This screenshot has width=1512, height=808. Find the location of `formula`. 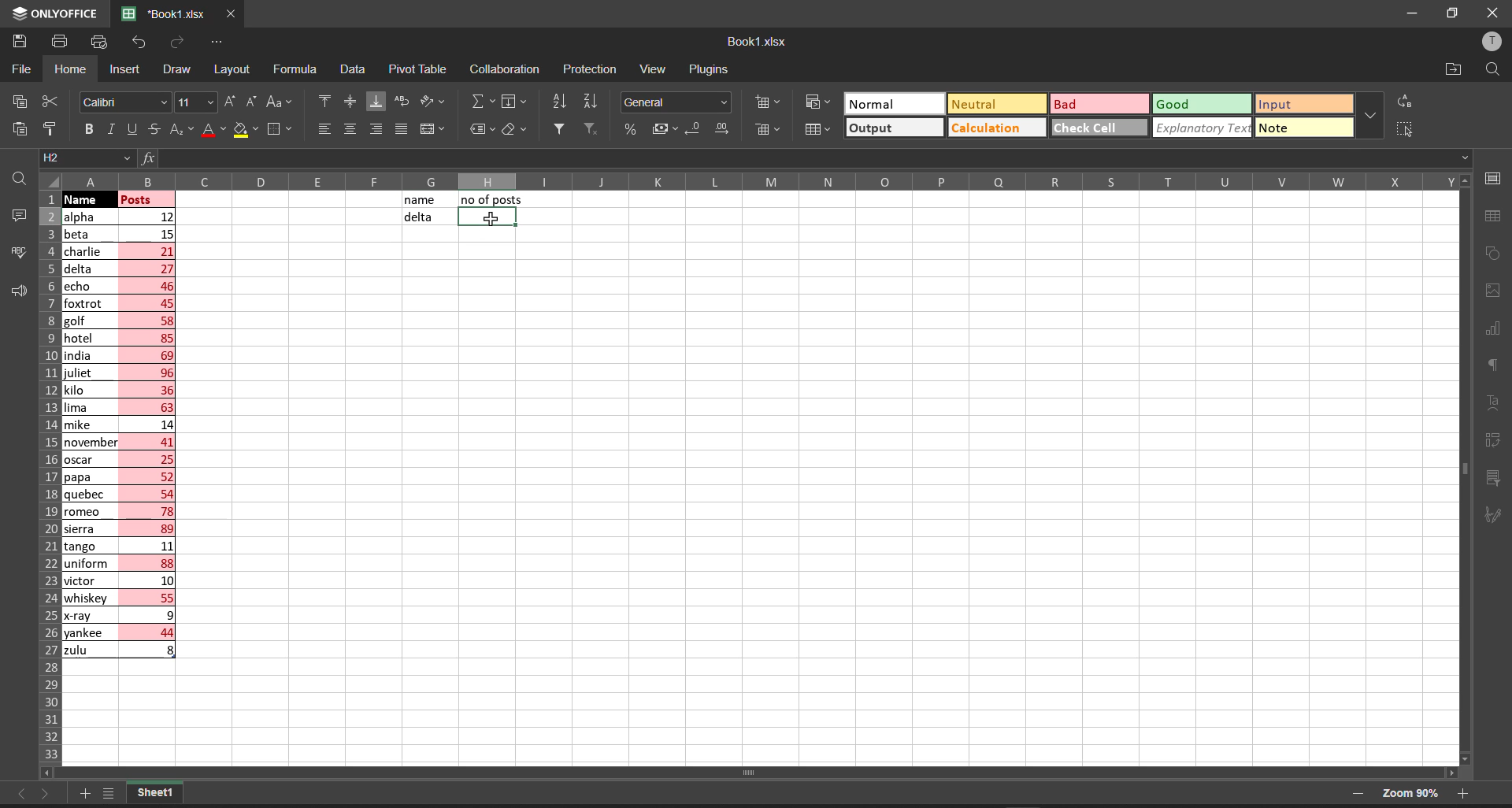

formula is located at coordinates (298, 70).